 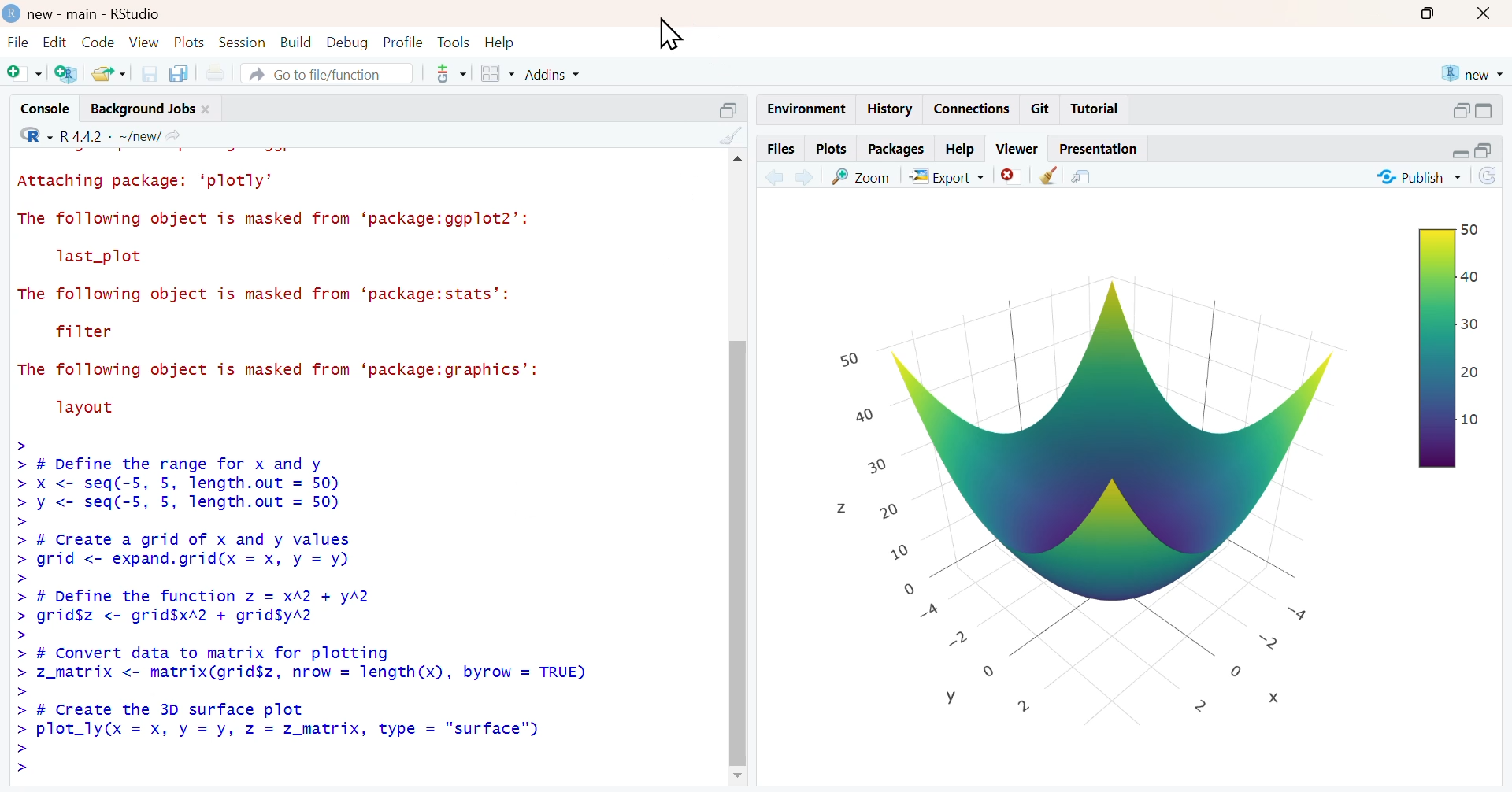 I want to click on maximize, so click(x=1494, y=153).